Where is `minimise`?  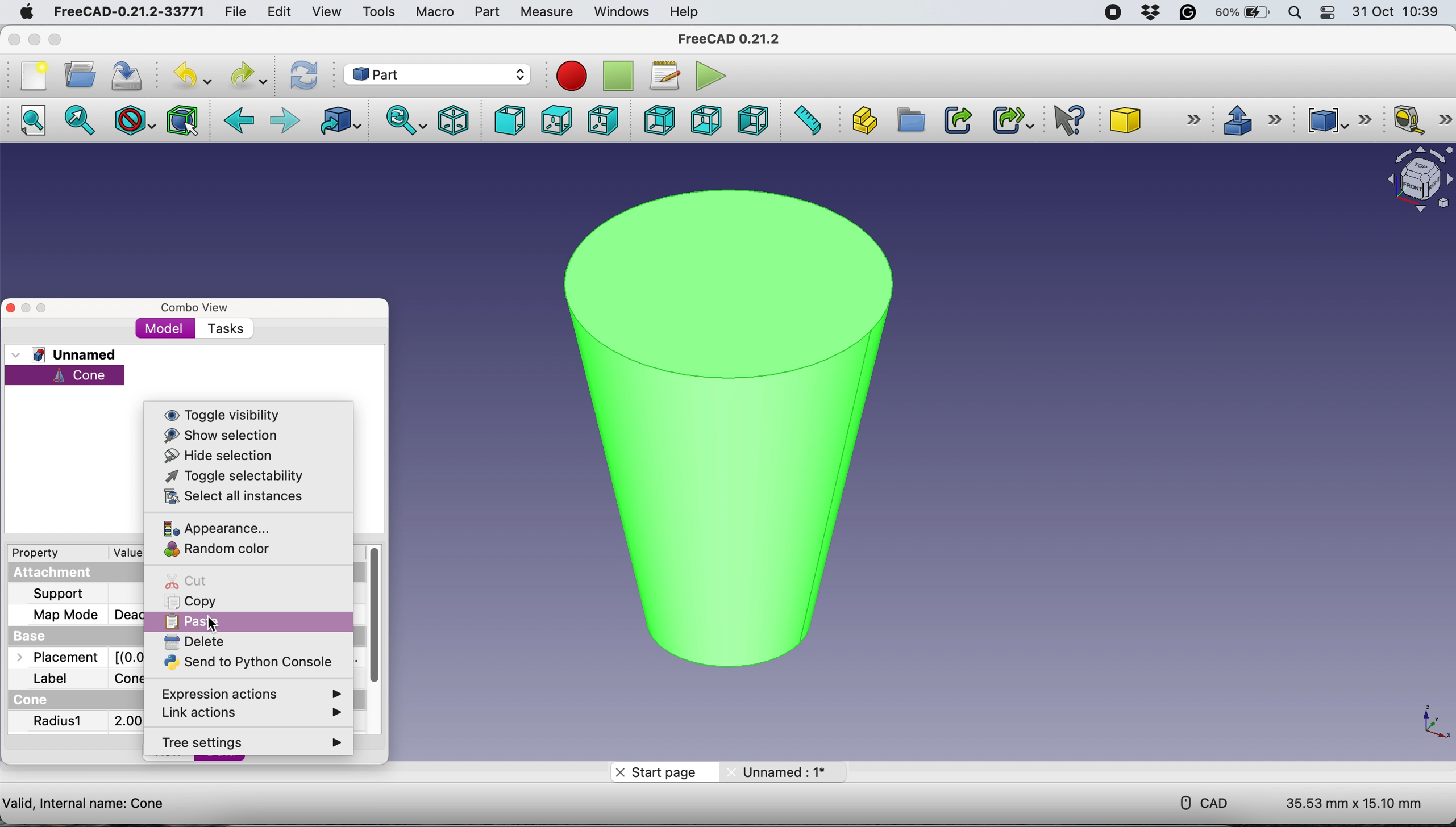
minimise is located at coordinates (34, 39).